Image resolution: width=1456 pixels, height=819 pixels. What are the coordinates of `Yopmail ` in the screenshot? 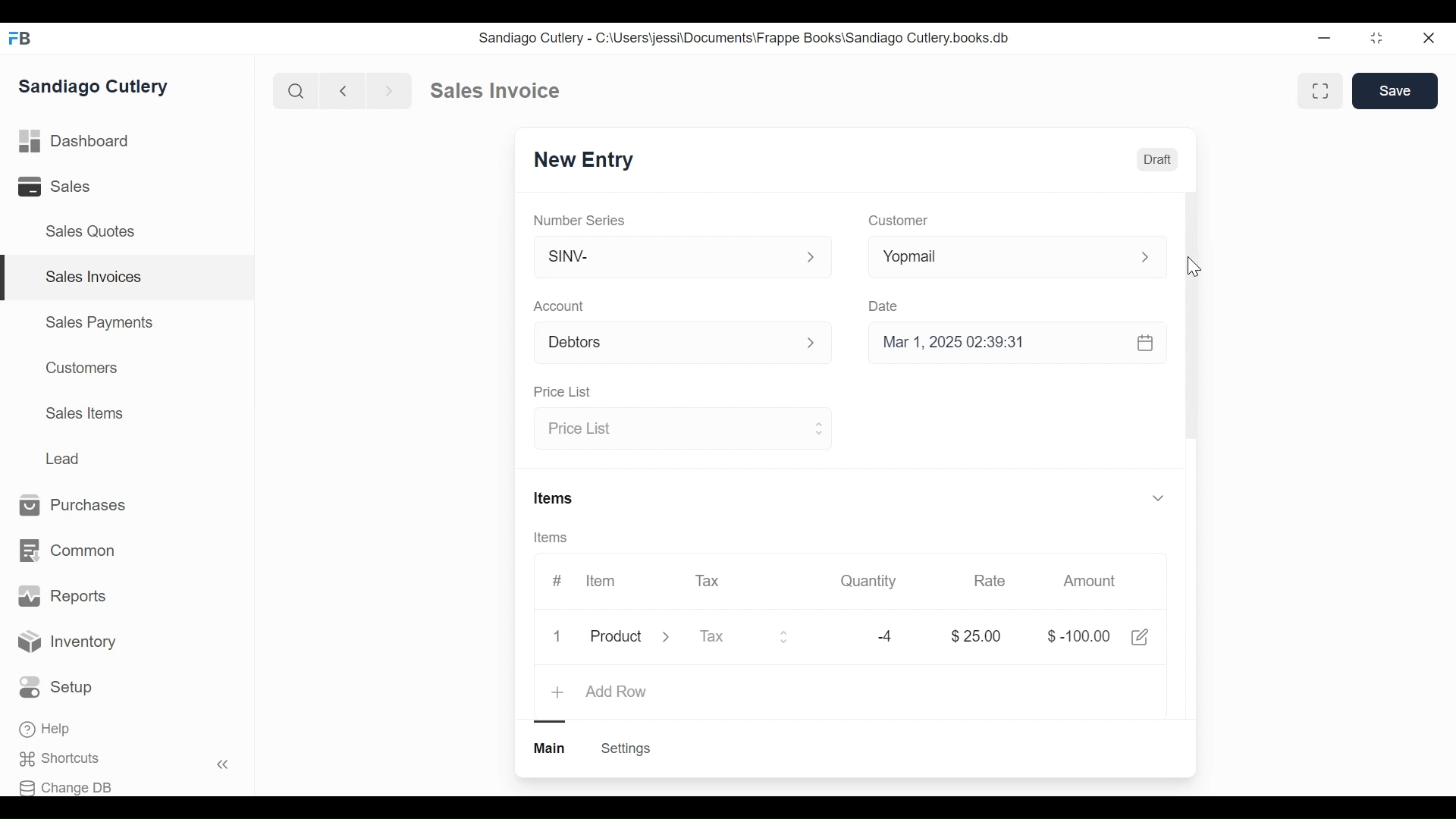 It's located at (1018, 257).